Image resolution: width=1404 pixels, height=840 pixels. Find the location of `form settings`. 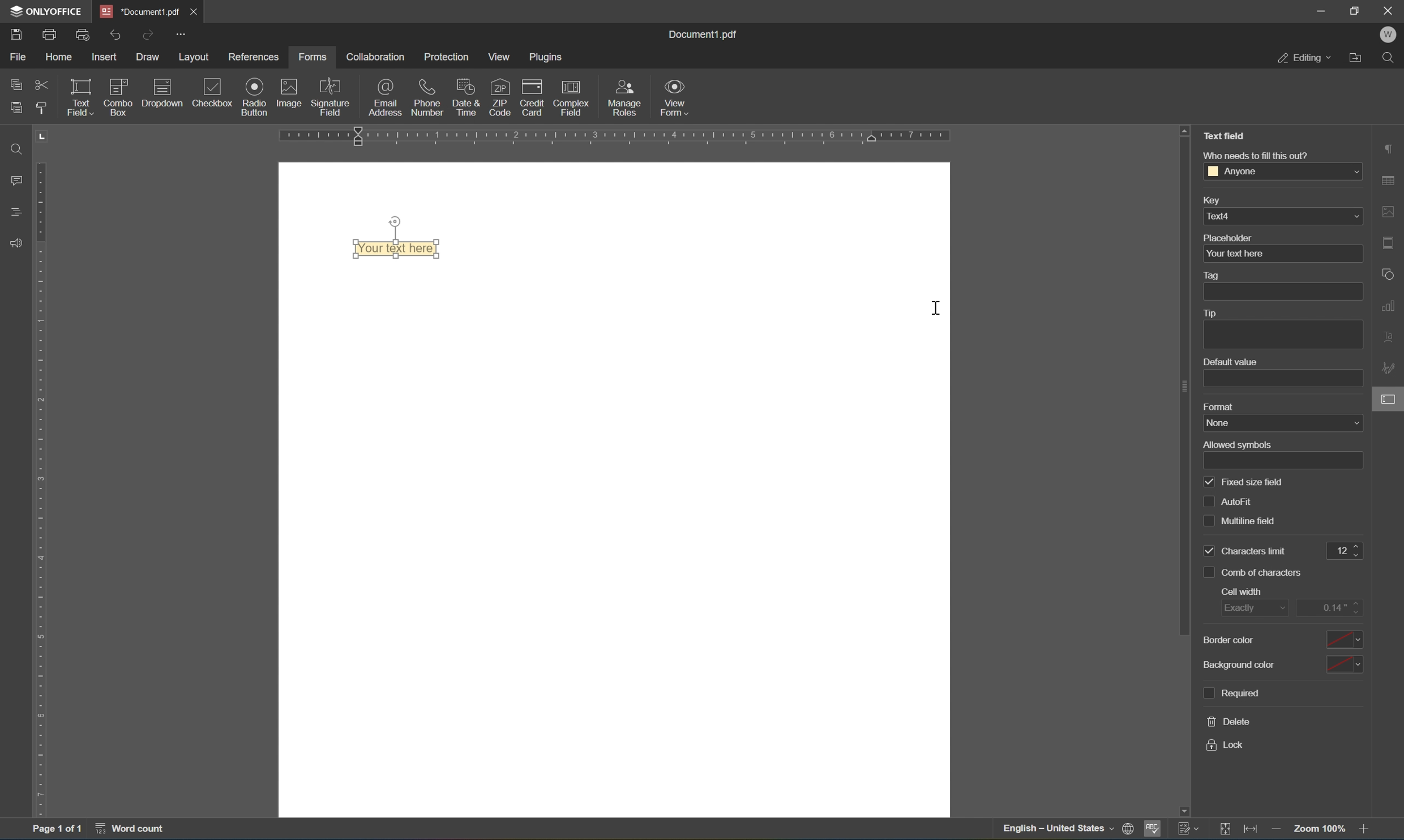

form settings is located at coordinates (1389, 398).